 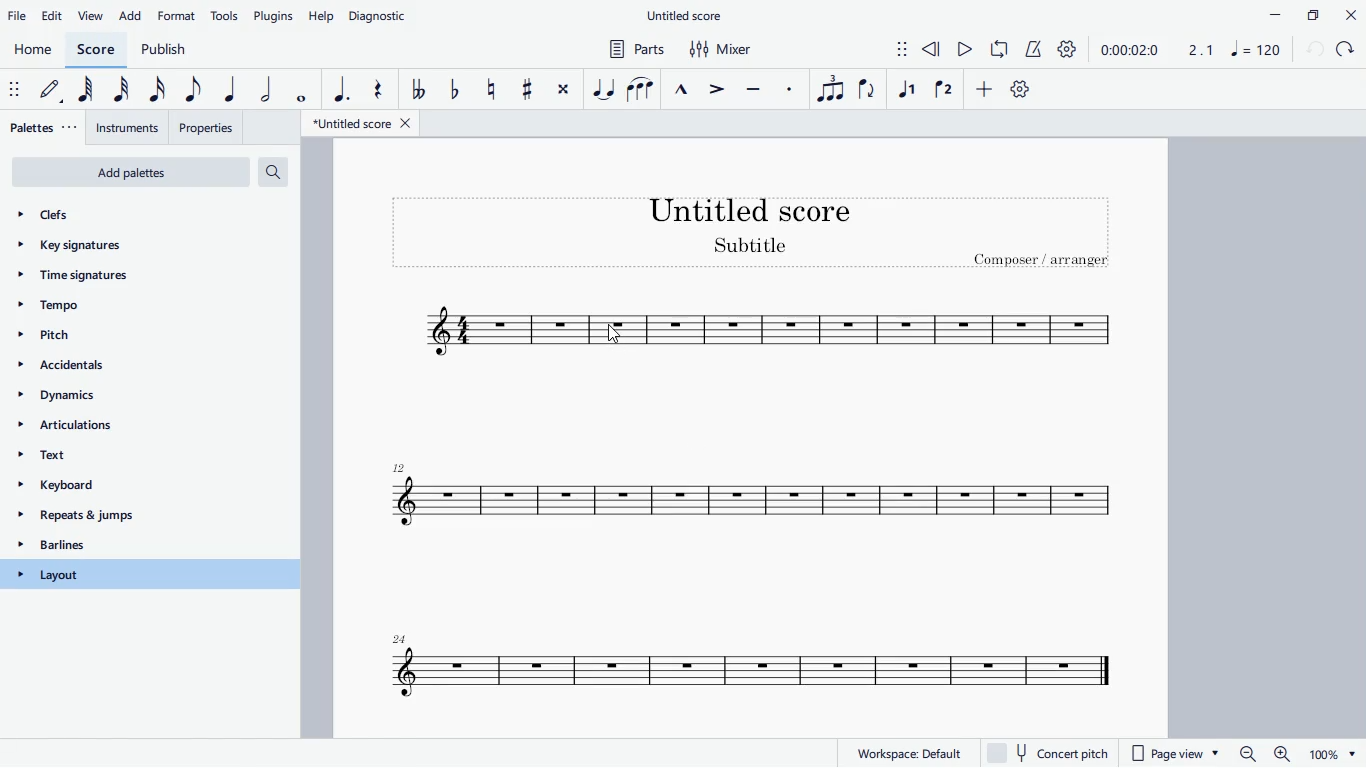 What do you see at coordinates (1001, 49) in the screenshot?
I see `loop playback` at bounding box center [1001, 49].